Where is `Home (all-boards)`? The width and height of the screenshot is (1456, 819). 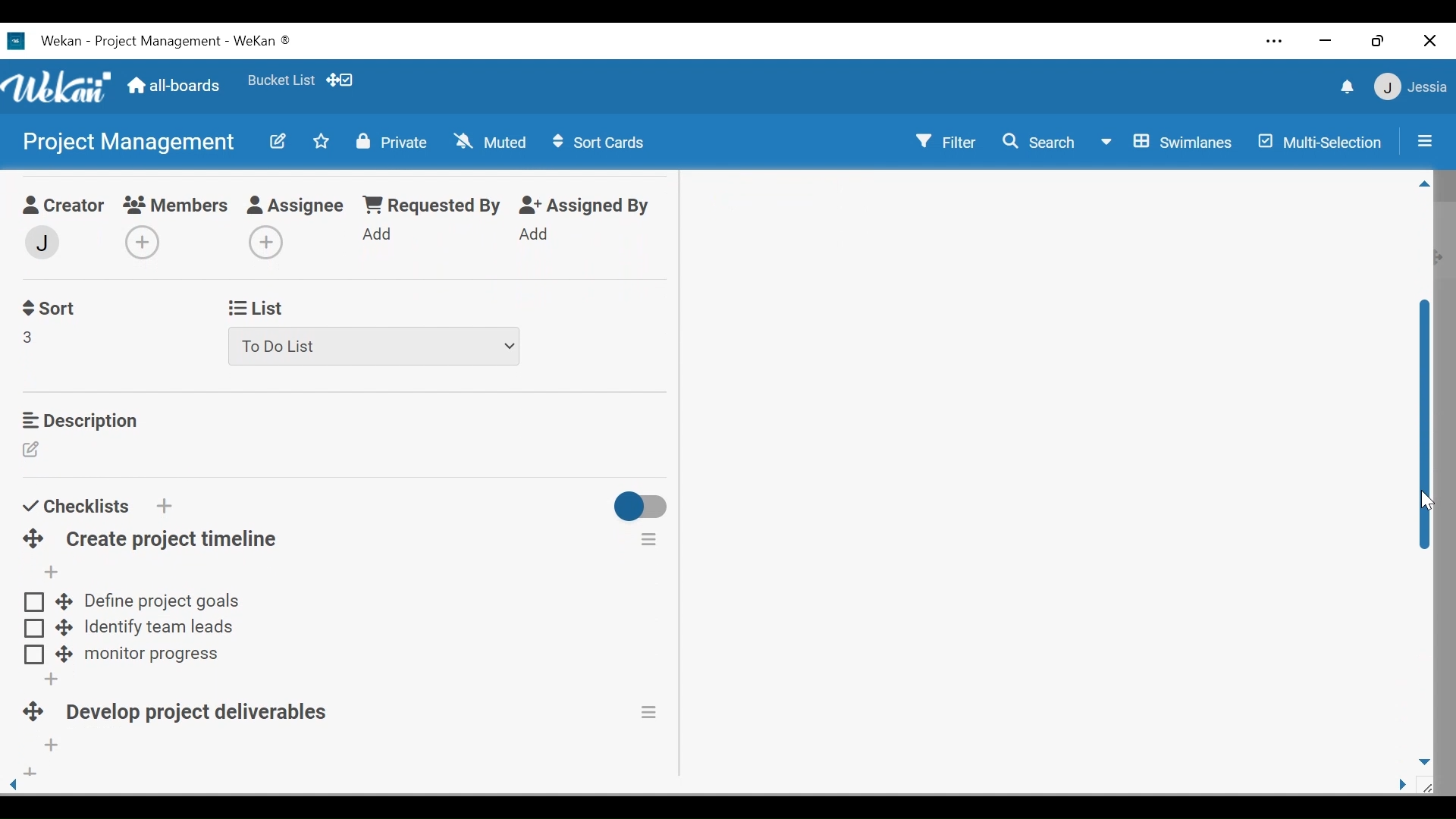
Home (all-boards) is located at coordinates (176, 88).